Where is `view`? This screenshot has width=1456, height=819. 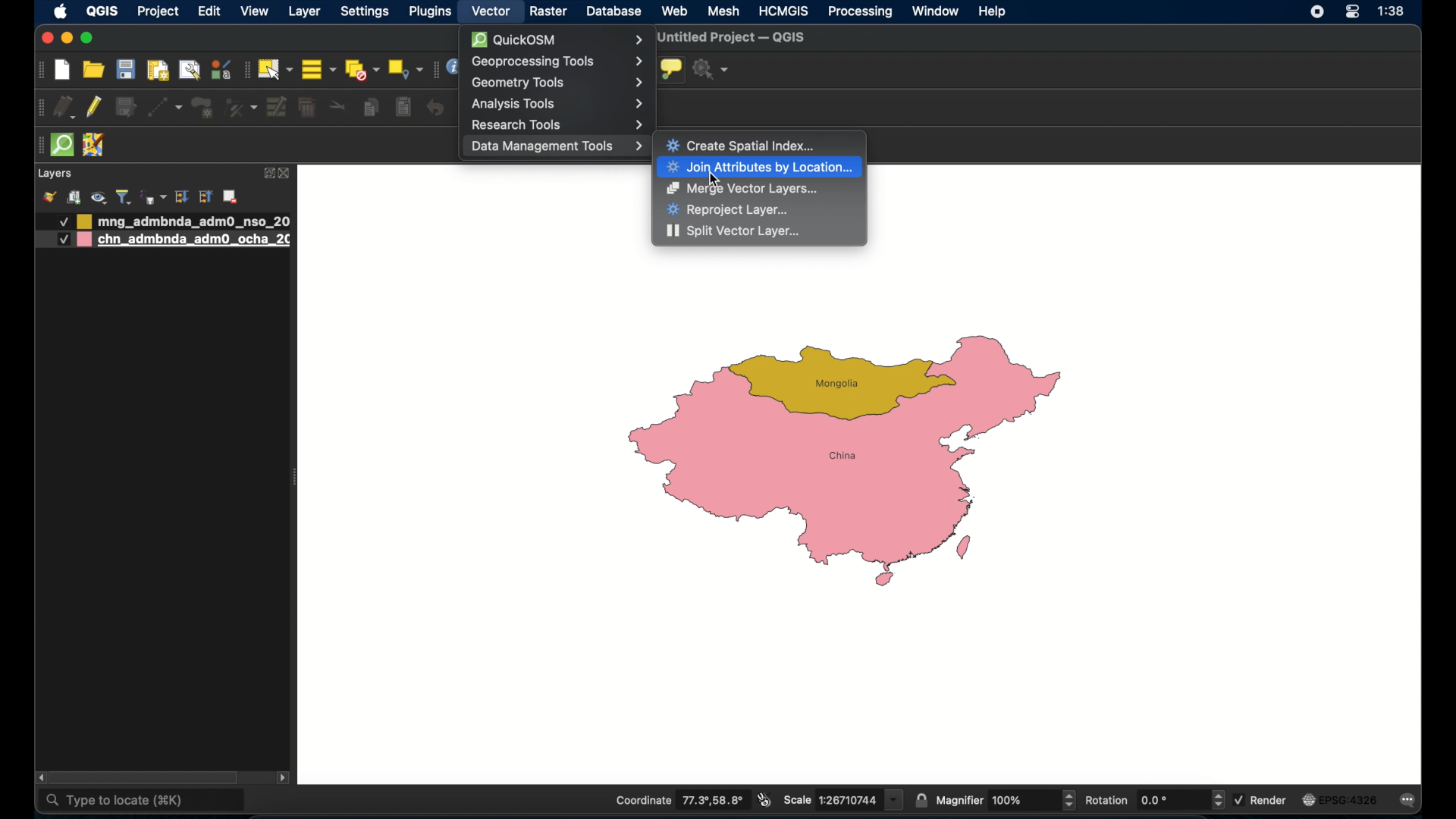
view is located at coordinates (254, 12).